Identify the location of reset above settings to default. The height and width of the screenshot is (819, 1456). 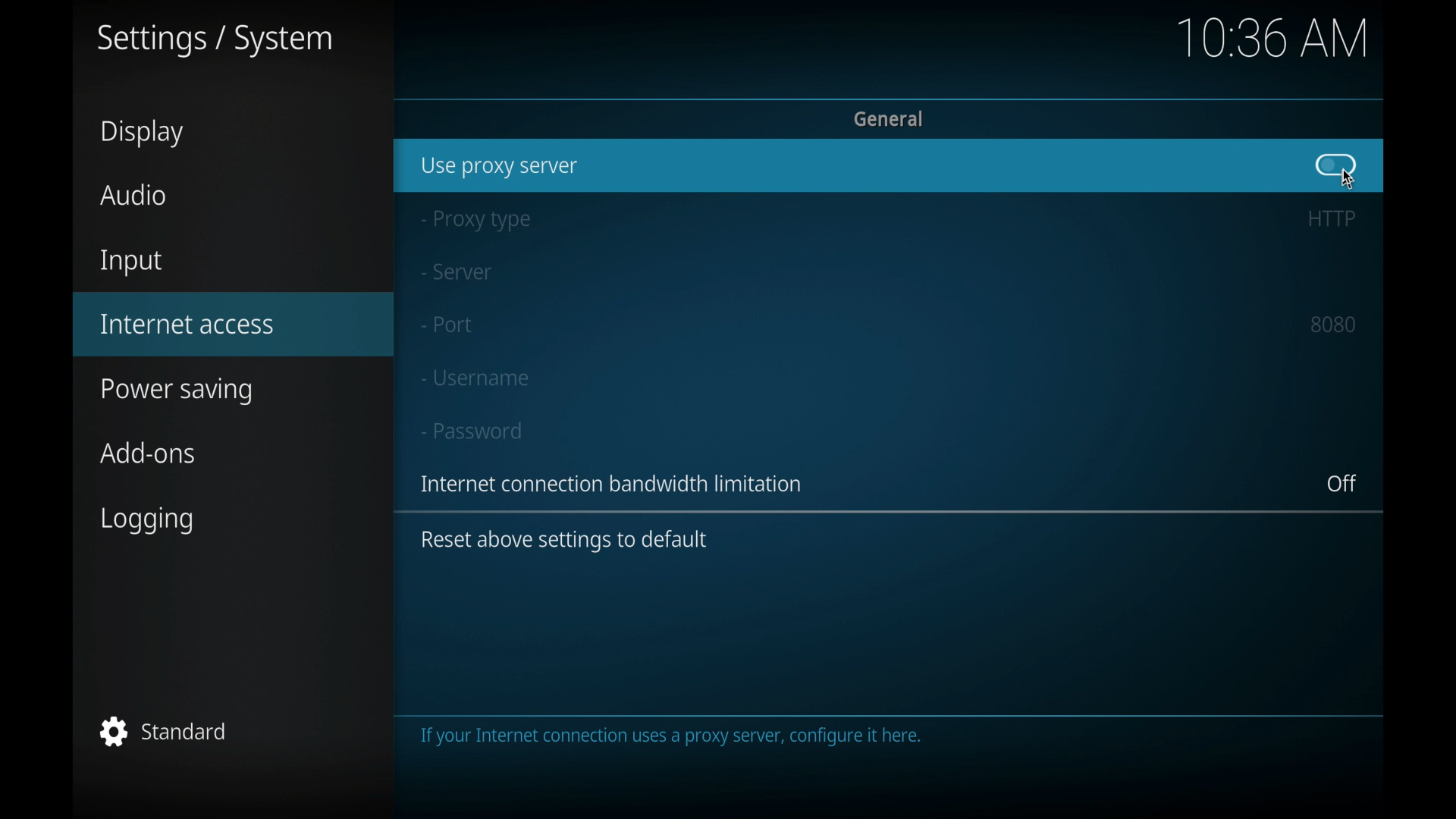
(564, 541).